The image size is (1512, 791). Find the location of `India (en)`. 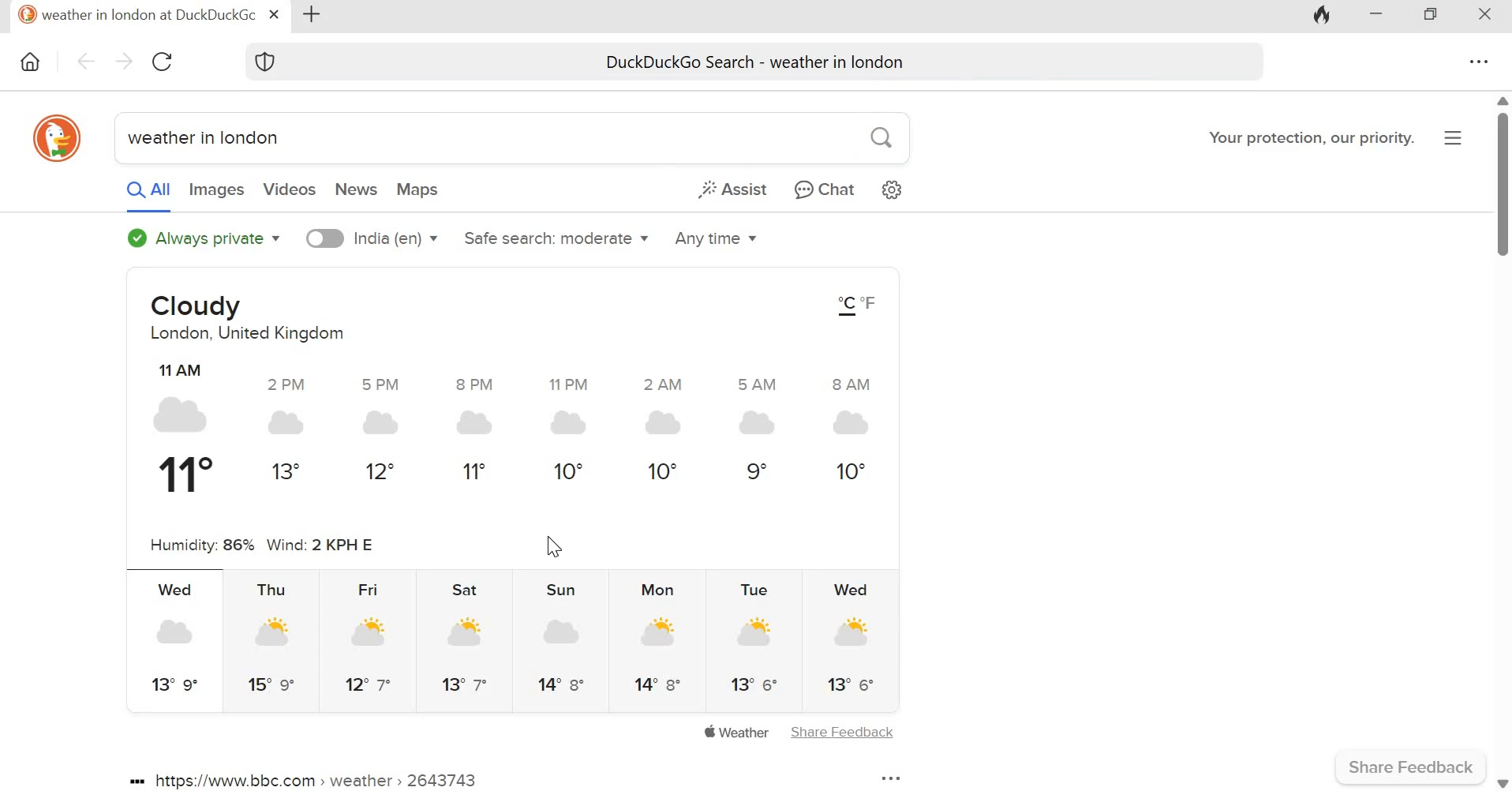

India (en) is located at coordinates (372, 241).